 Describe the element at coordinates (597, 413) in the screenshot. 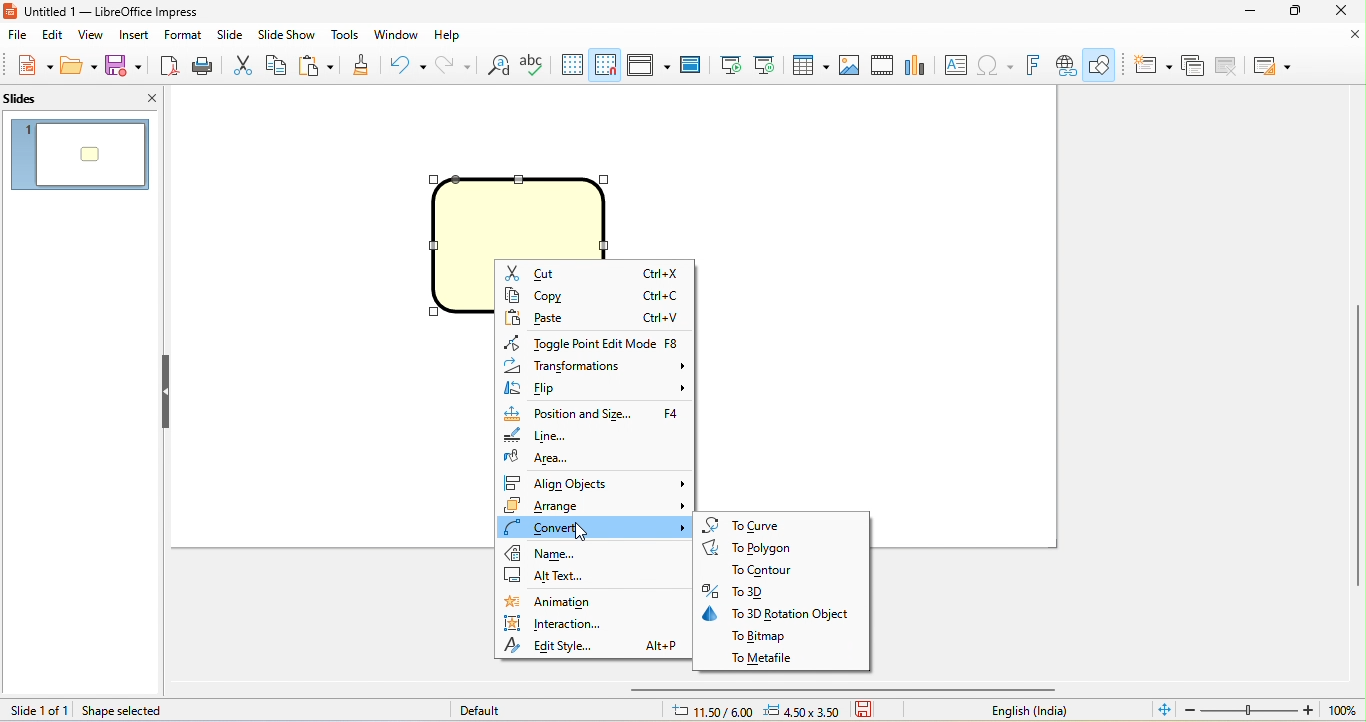

I see `position and size` at that location.